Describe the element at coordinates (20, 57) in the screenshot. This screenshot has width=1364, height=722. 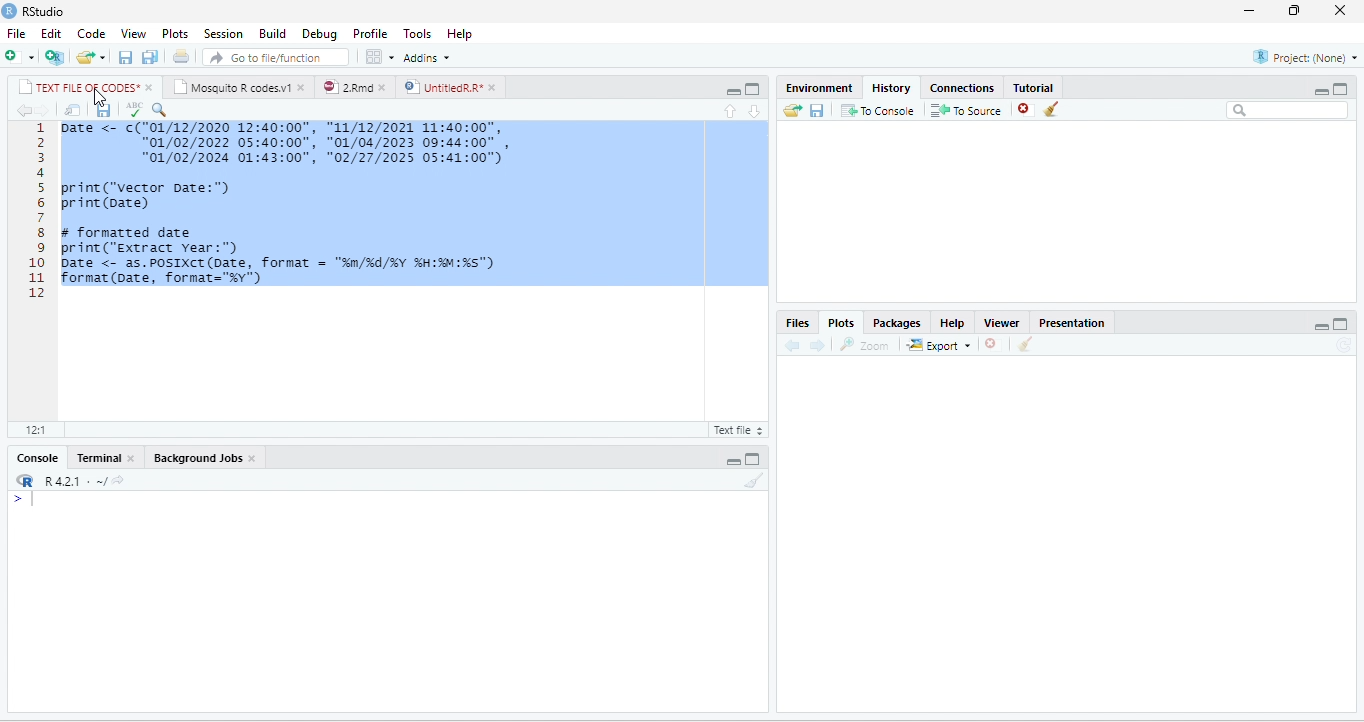
I see `new file` at that location.